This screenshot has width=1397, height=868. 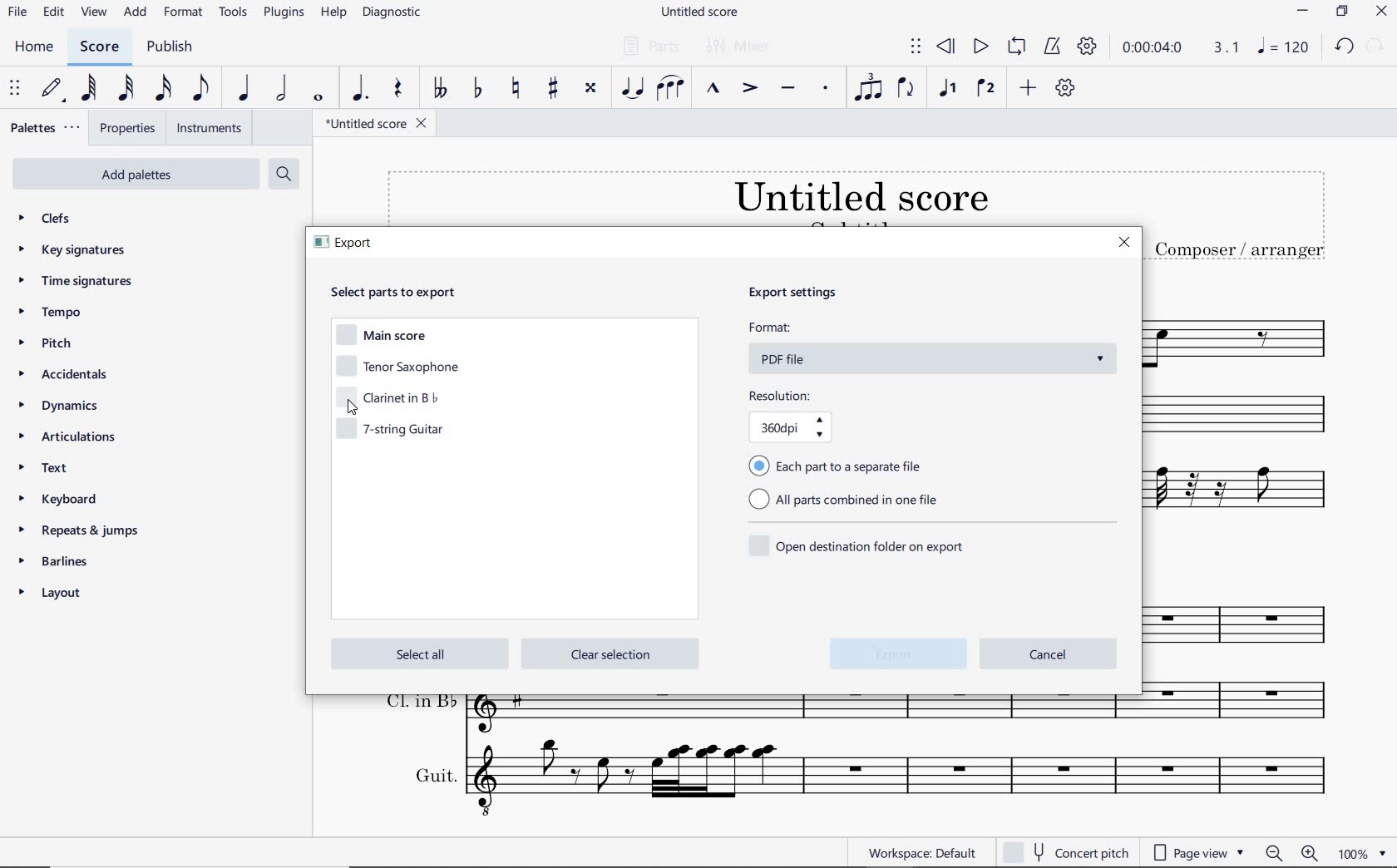 What do you see at coordinates (1376, 45) in the screenshot?
I see `REDO` at bounding box center [1376, 45].